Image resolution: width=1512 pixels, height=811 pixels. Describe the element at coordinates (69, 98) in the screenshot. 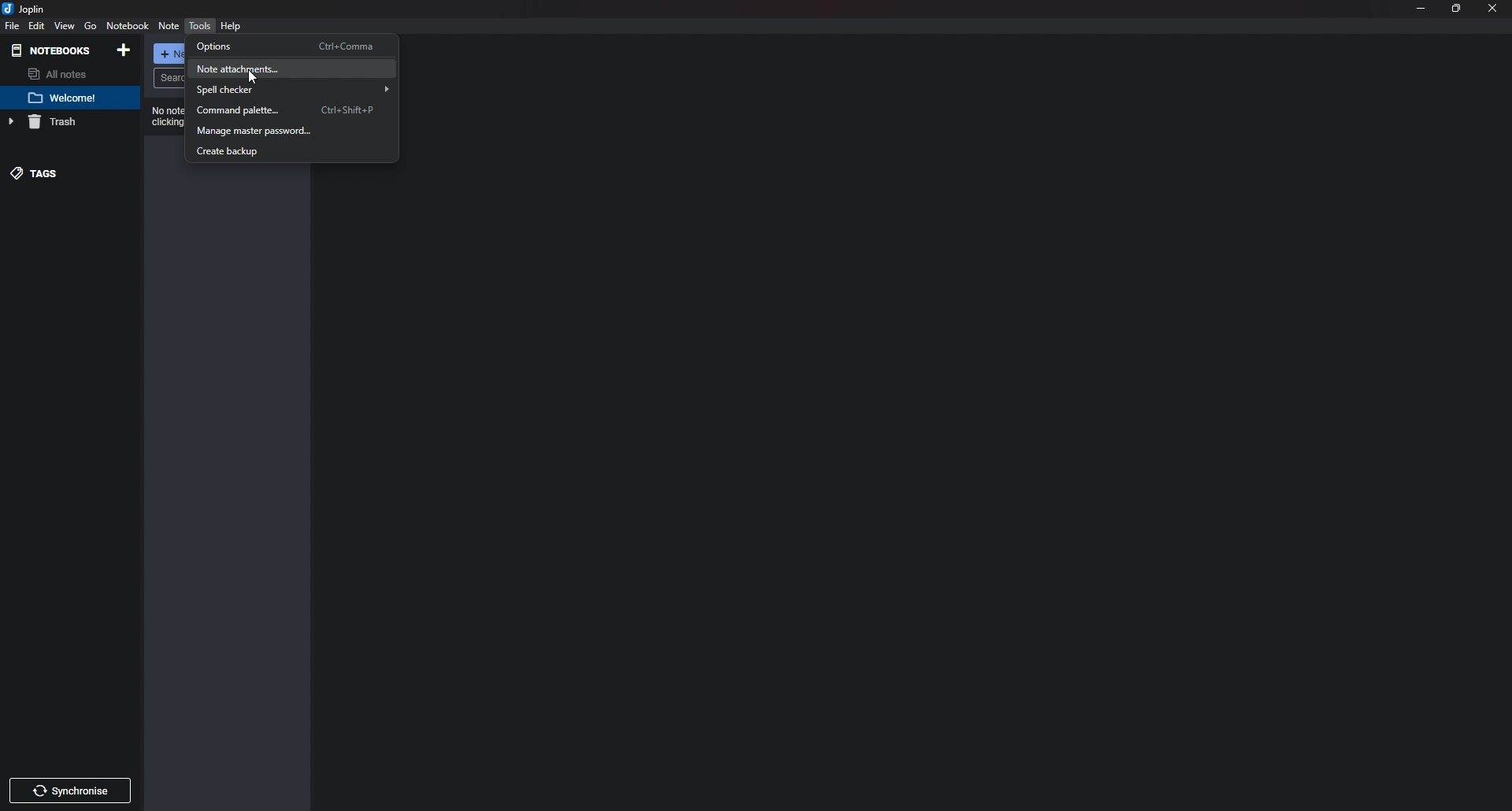

I see `note` at that location.